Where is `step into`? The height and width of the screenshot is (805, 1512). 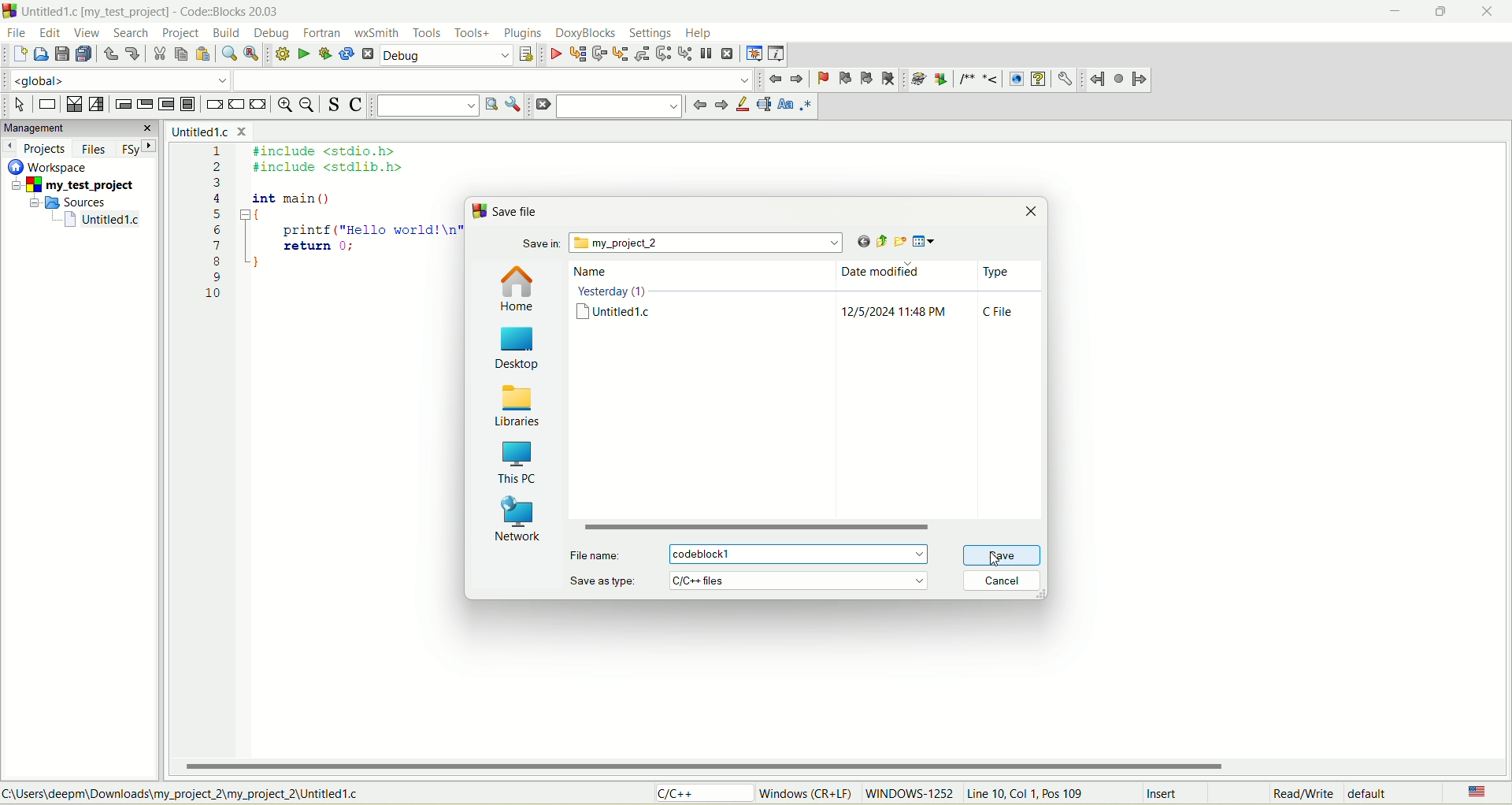
step into is located at coordinates (621, 54).